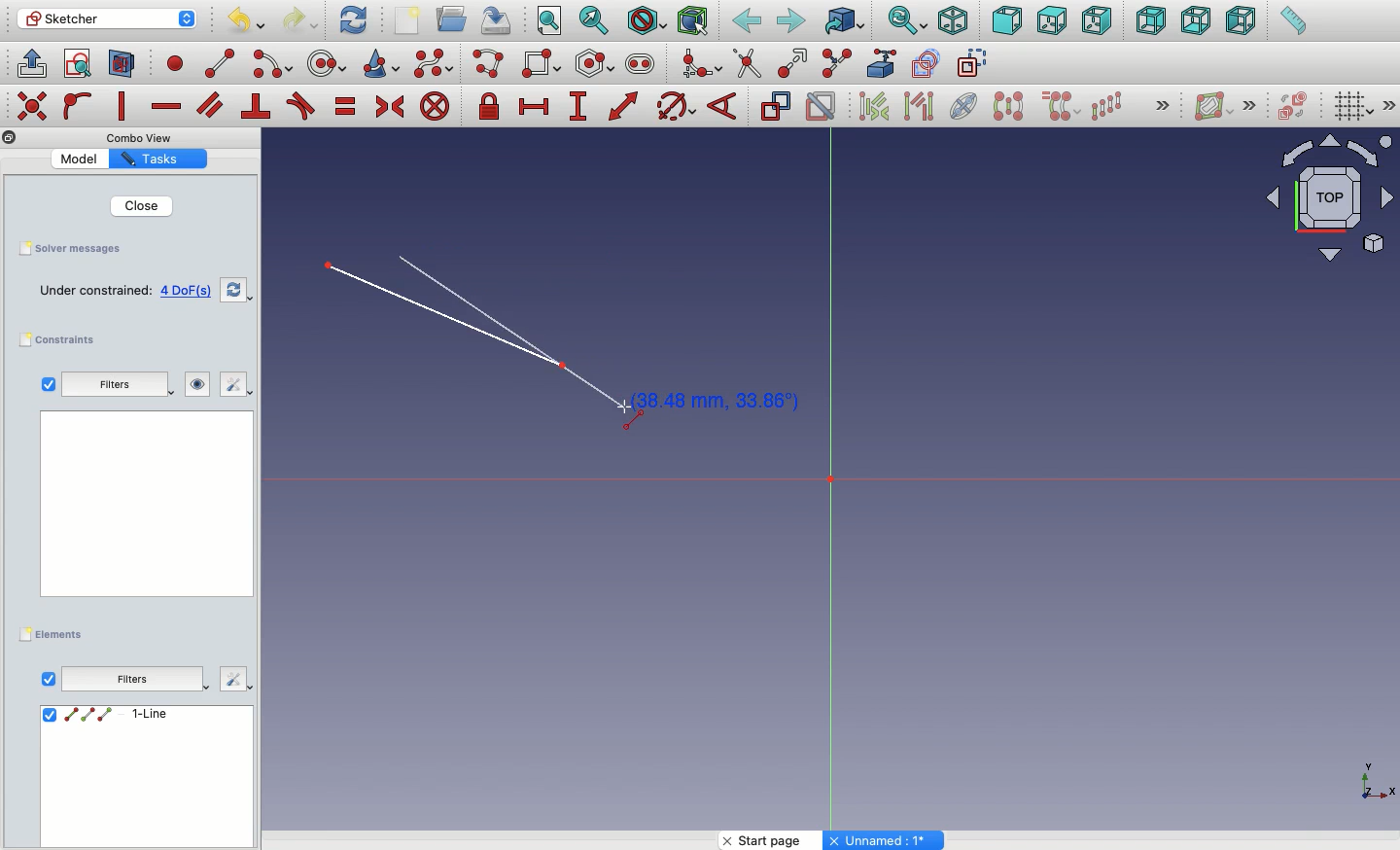 The height and width of the screenshot is (850, 1400). What do you see at coordinates (704, 402) in the screenshot?
I see `Click` at bounding box center [704, 402].